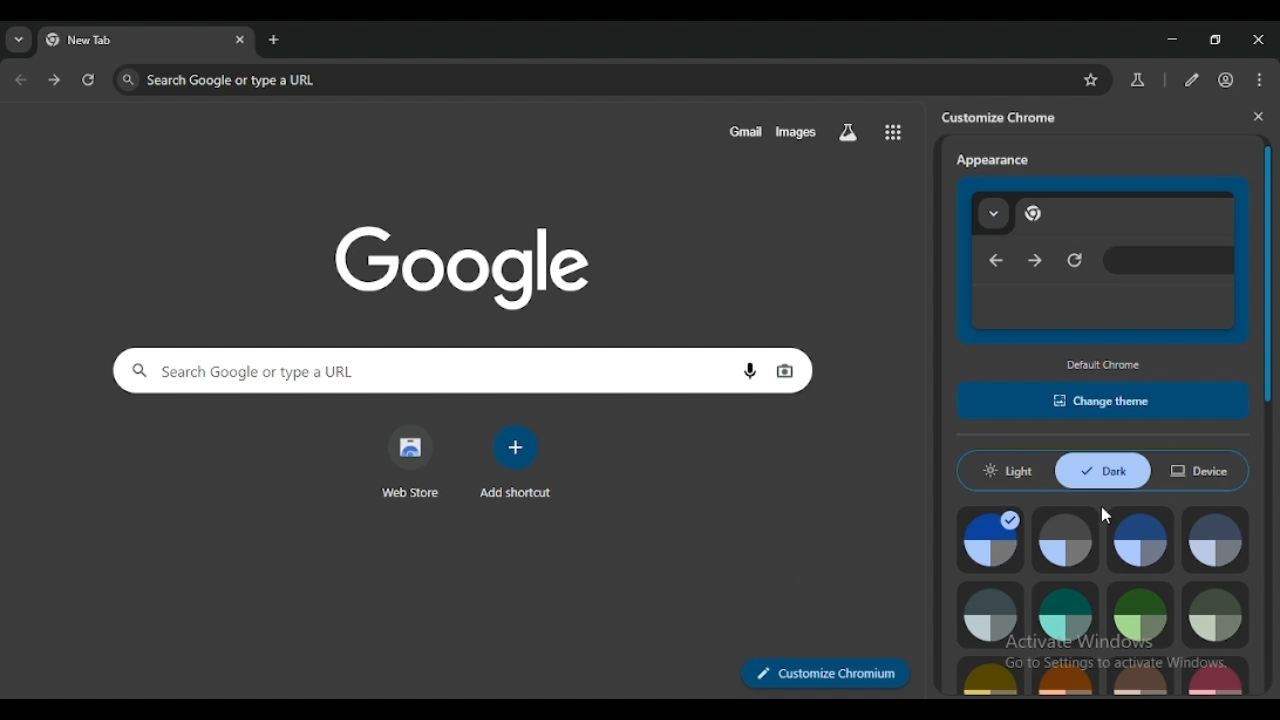 The image size is (1280, 720). Describe the element at coordinates (1077, 261) in the screenshot. I see `reload` at that location.